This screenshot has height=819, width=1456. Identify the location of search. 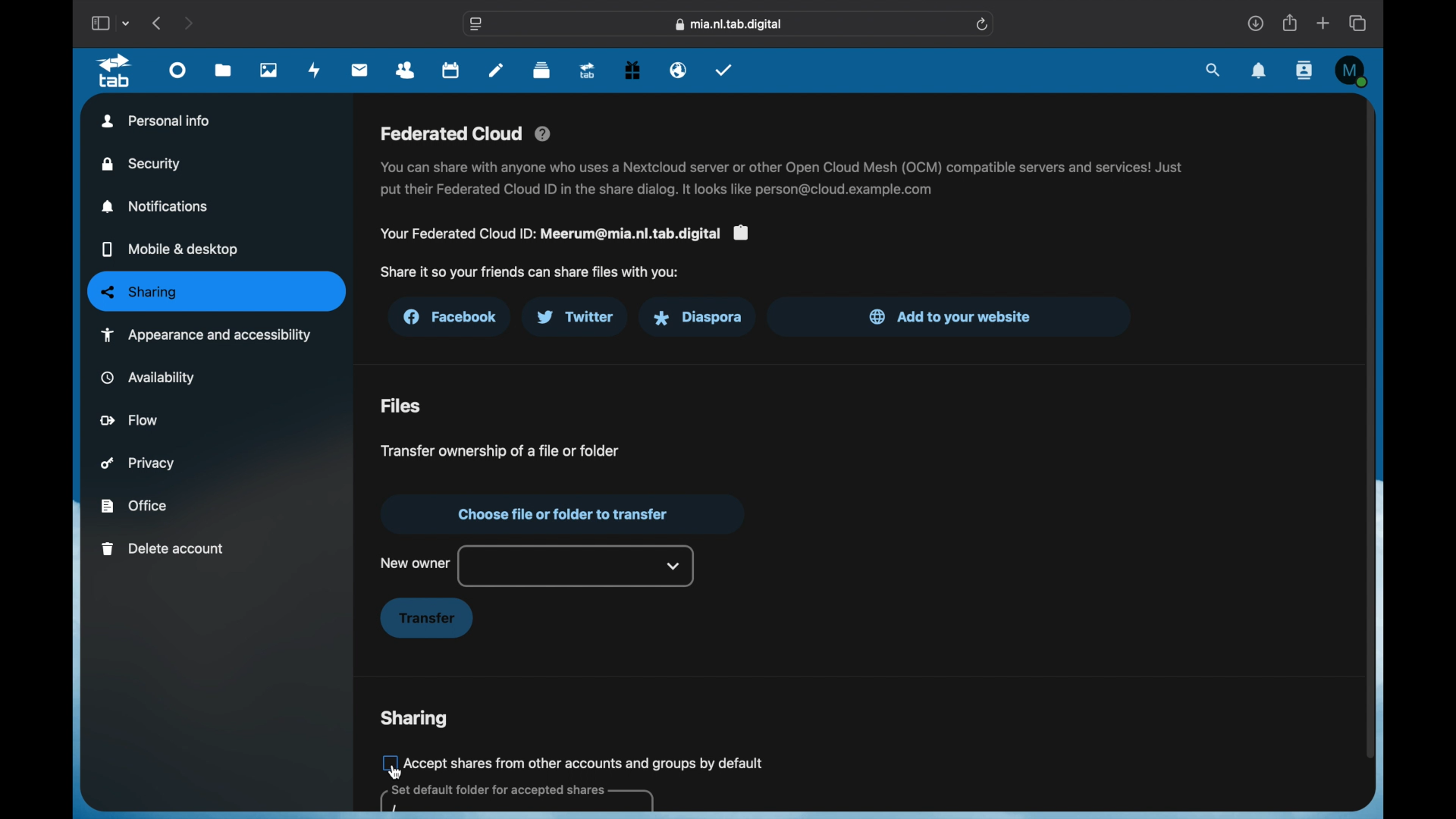
(1214, 71).